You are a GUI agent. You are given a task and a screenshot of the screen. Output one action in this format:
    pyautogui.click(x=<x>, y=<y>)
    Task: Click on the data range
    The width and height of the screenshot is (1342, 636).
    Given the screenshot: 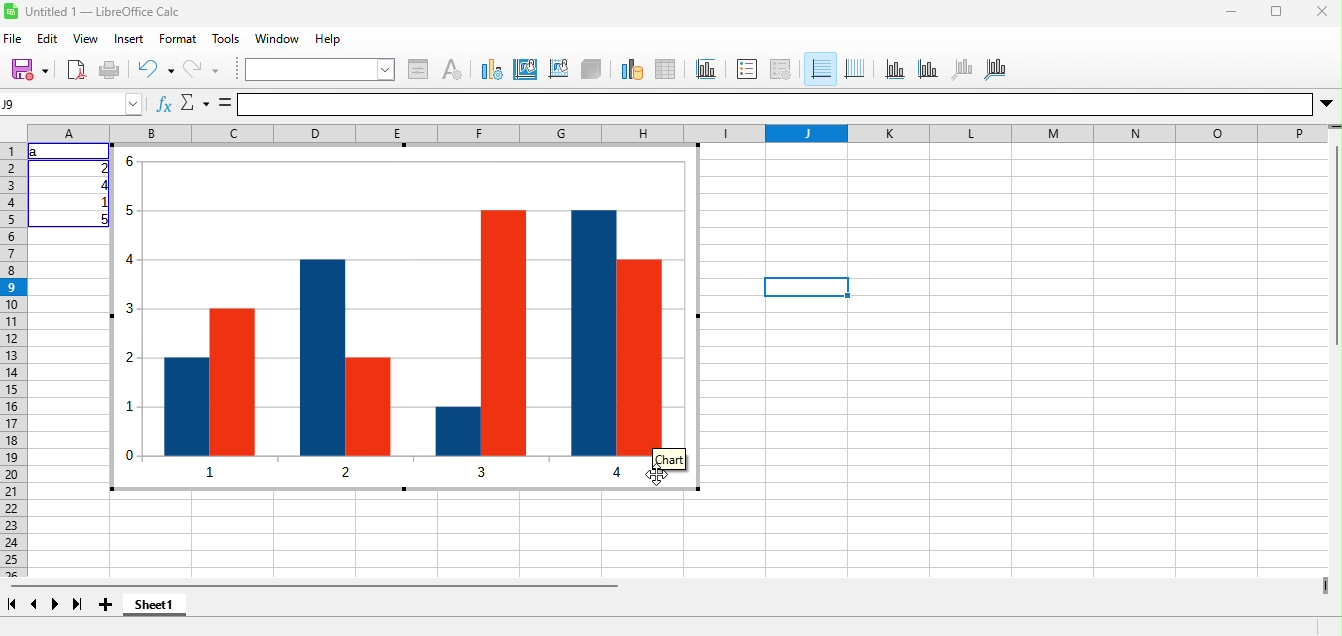 What is the action you would take?
    pyautogui.click(x=632, y=70)
    